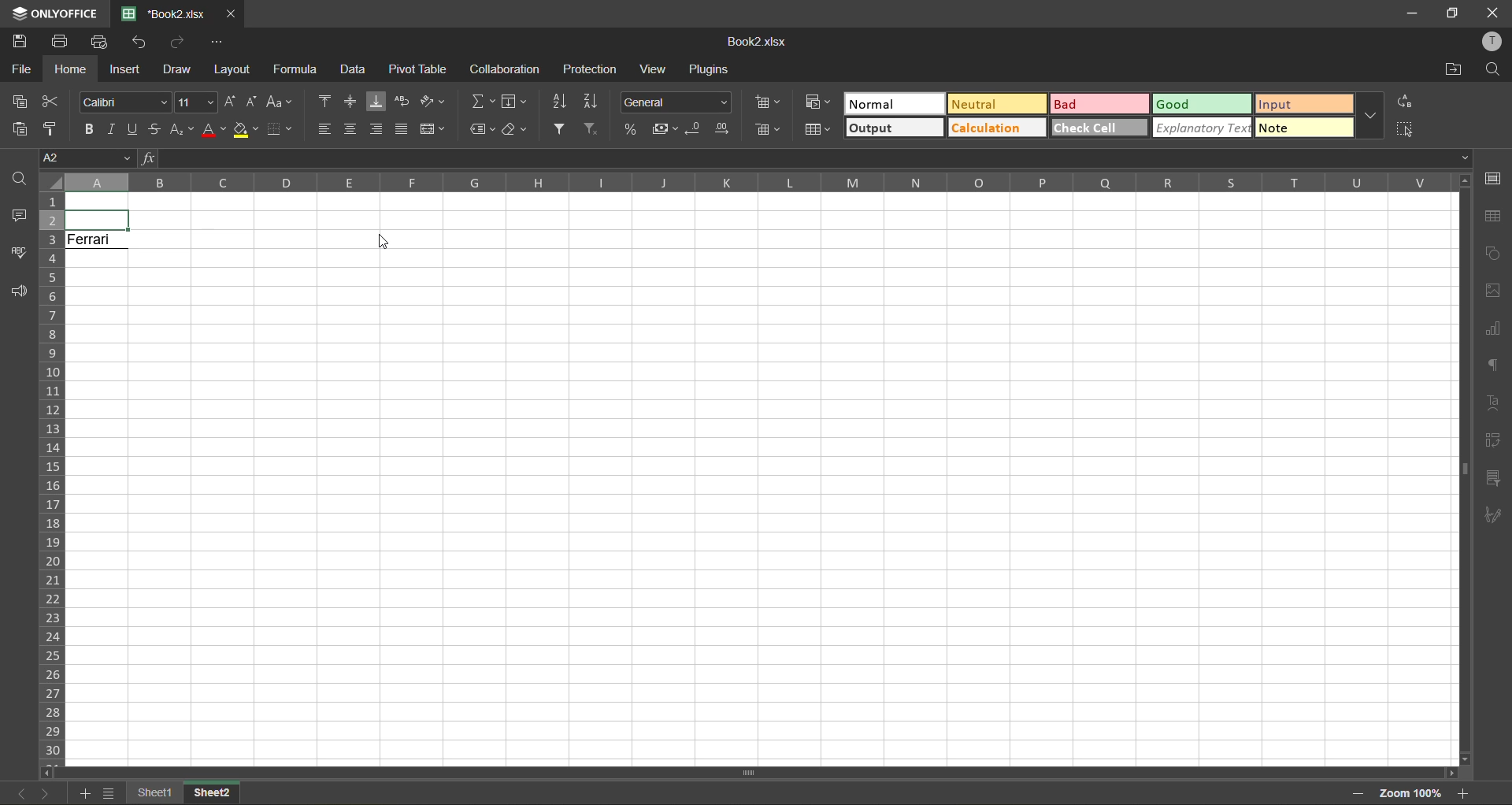 Image resolution: width=1512 pixels, height=805 pixels. What do you see at coordinates (799, 158) in the screenshot?
I see `formula bar` at bounding box center [799, 158].